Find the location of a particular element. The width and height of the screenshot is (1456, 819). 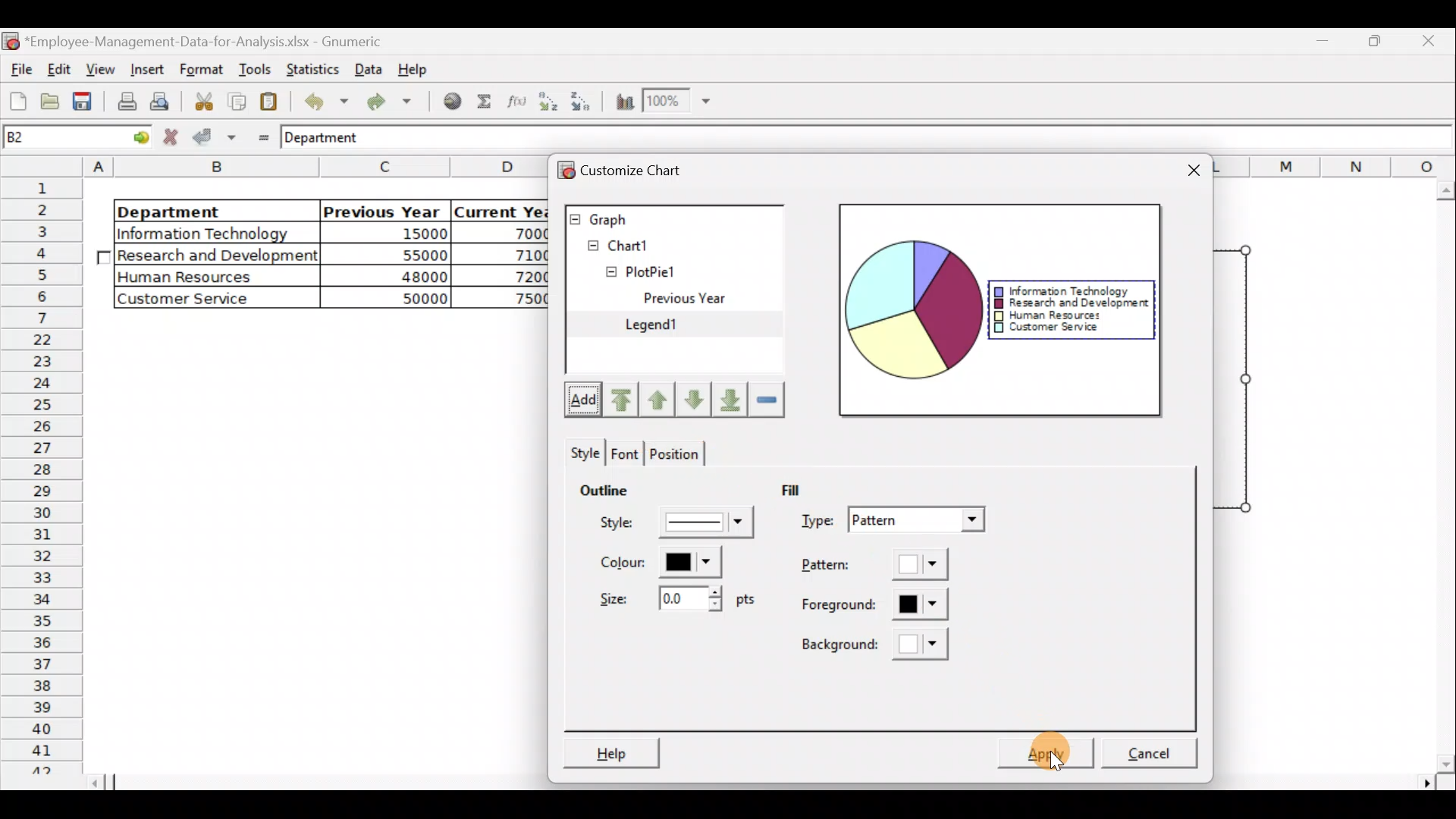

Type is located at coordinates (891, 520).